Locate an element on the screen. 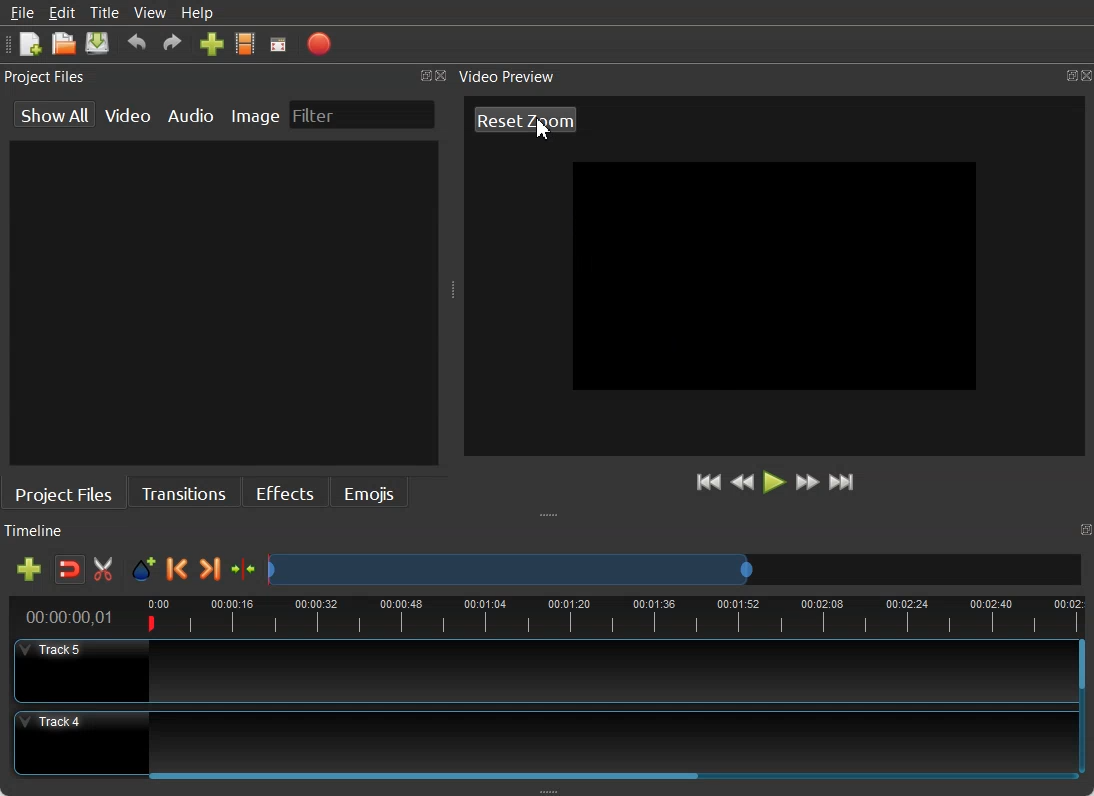 This screenshot has height=796, width=1094. Export Video is located at coordinates (320, 43).